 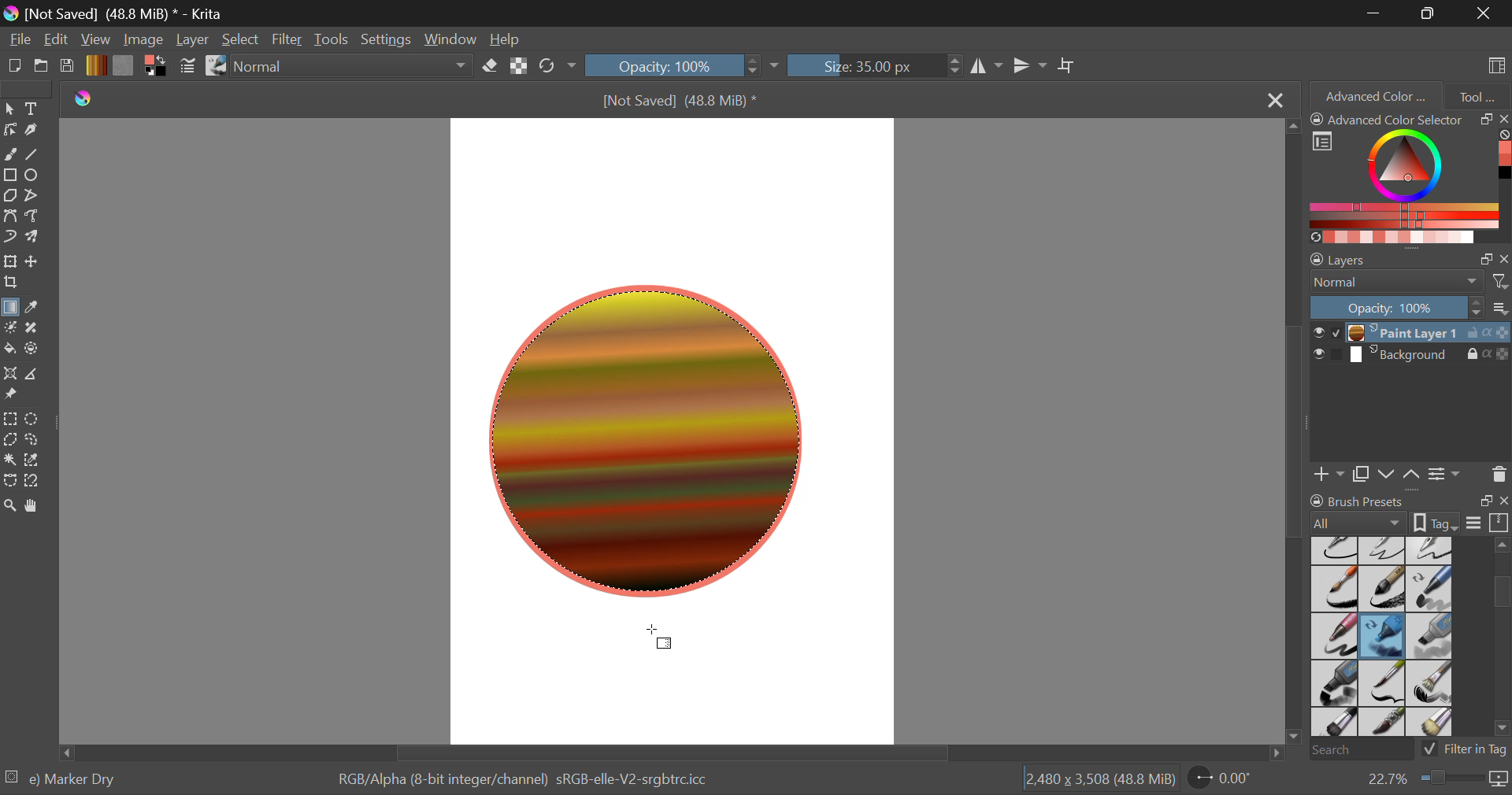 I want to click on Marker Chisel Smooth, so click(x=1430, y=588).